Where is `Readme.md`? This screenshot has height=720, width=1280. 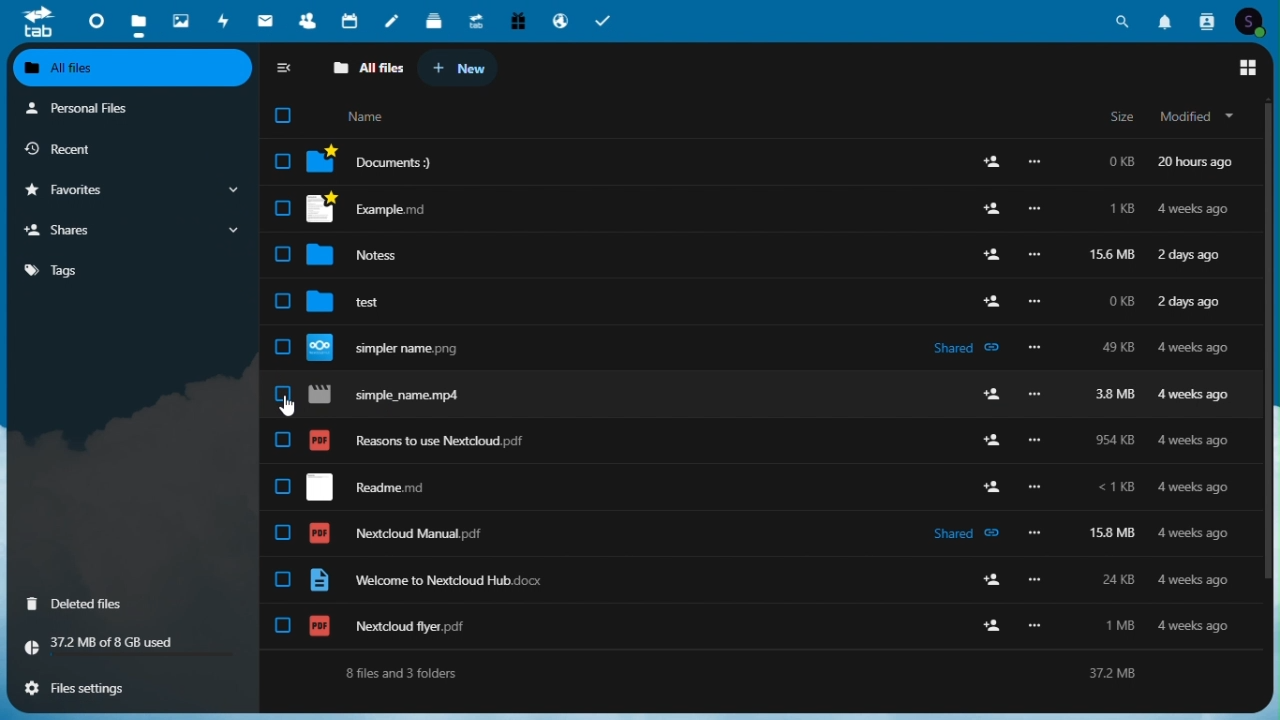 Readme.md is located at coordinates (738, 485).